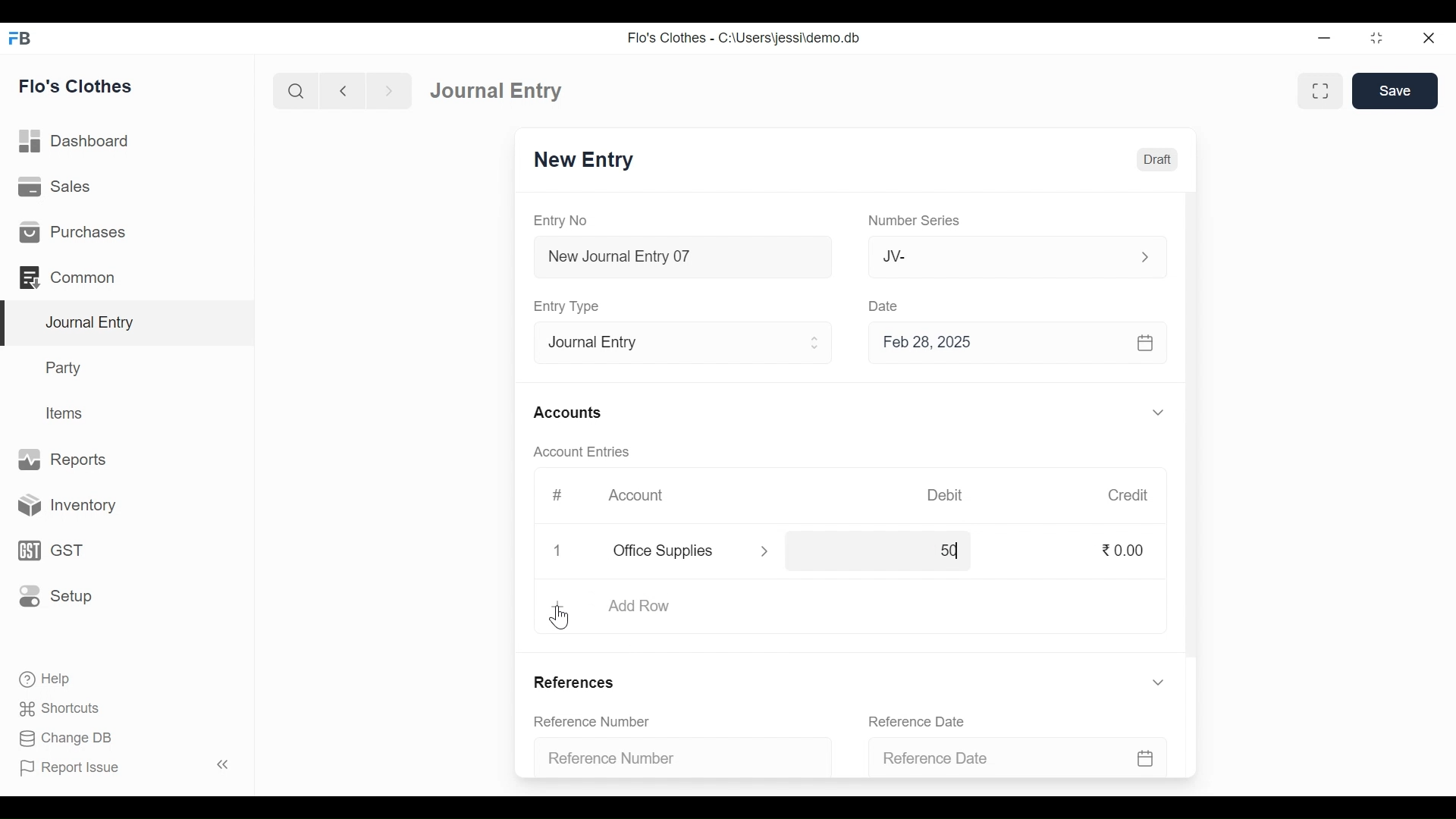 The image size is (1456, 819). I want to click on Credit, so click(1129, 496).